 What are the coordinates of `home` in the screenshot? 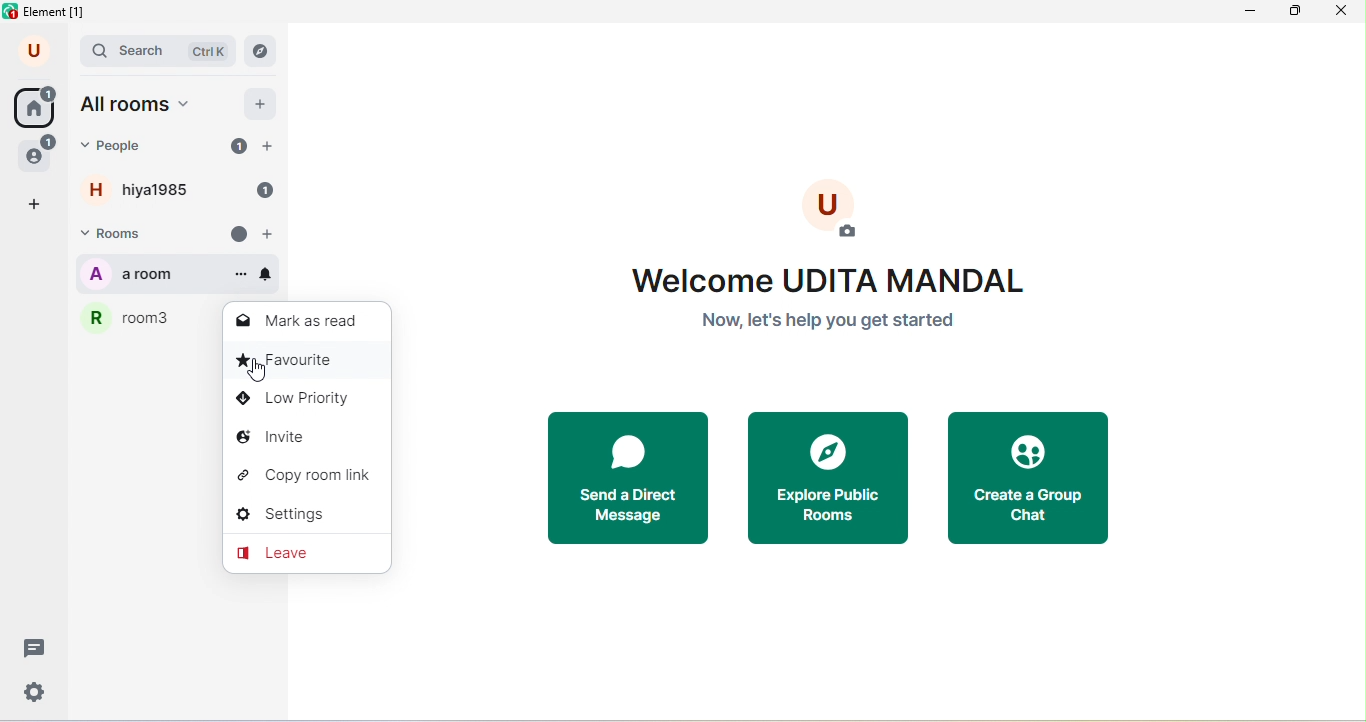 It's located at (34, 106).